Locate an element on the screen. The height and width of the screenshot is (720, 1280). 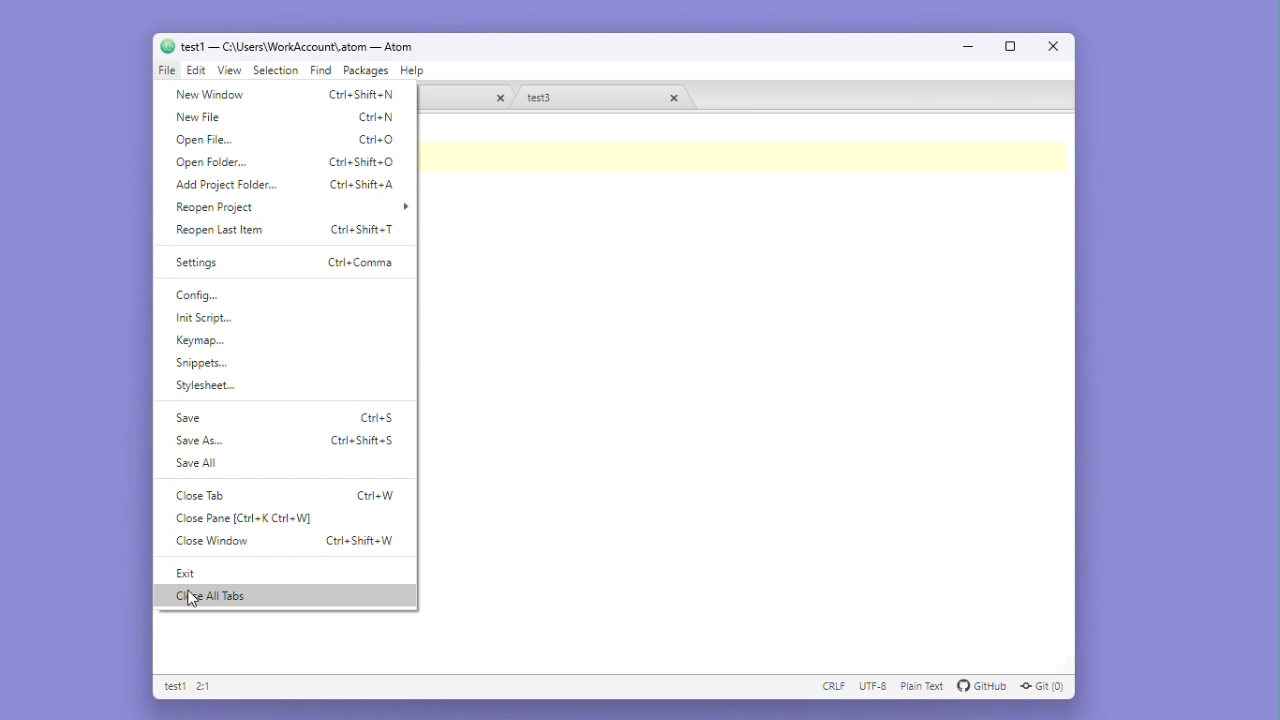
ctrl+shift+w is located at coordinates (361, 541).